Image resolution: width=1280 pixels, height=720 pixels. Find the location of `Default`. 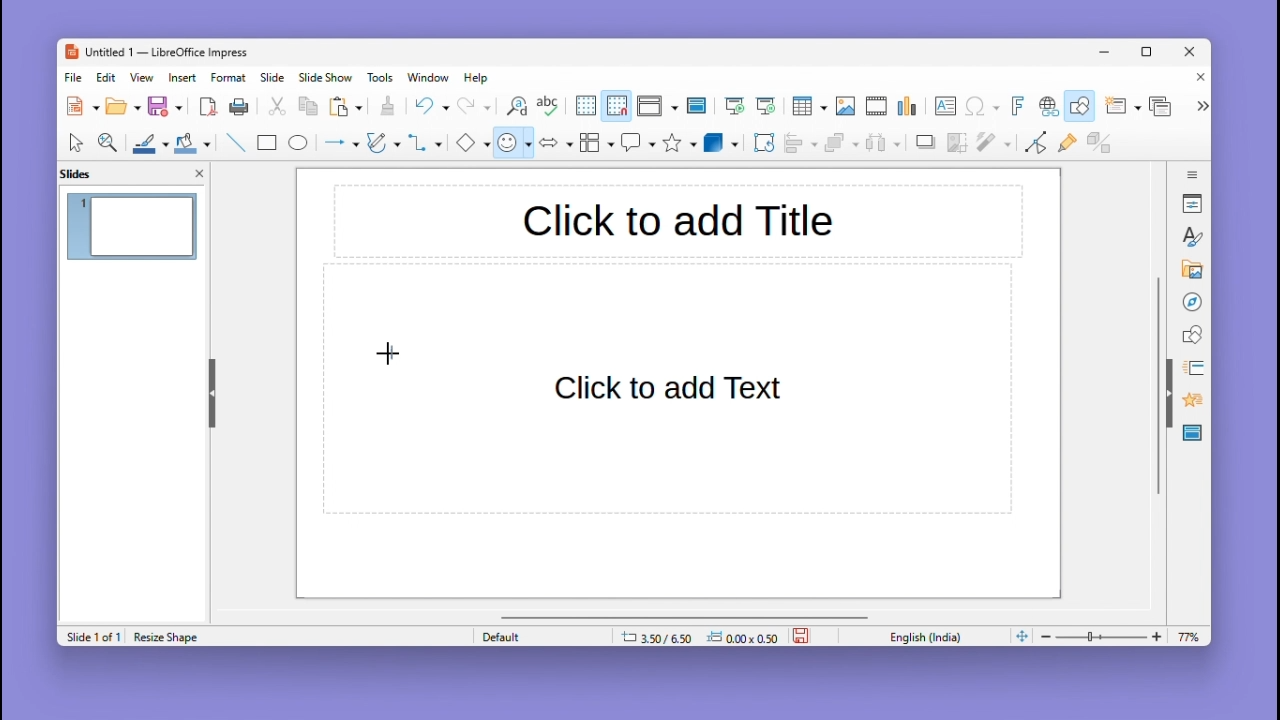

Default is located at coordinates (539, 636).